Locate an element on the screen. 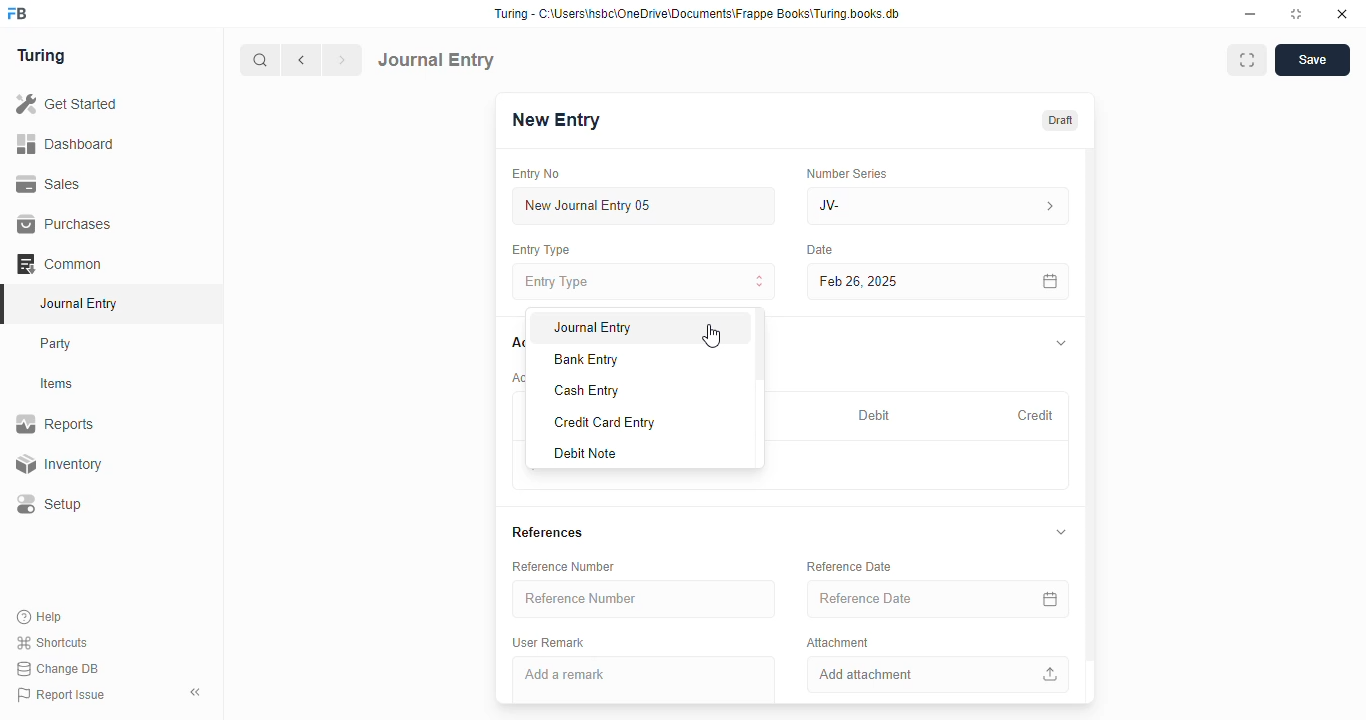 The height and width of the screenshot is (720, 1366). shortcuts is located at coordinates (52, 643).